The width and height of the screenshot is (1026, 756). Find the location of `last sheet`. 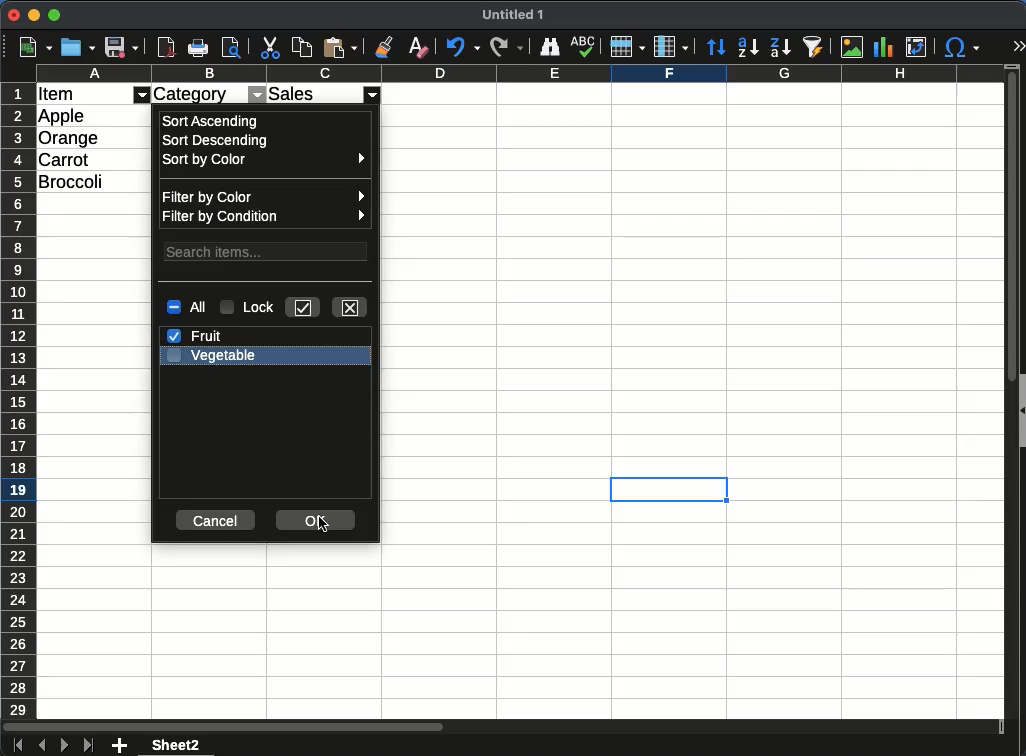

last sheet is located at coordinates (88, 746).